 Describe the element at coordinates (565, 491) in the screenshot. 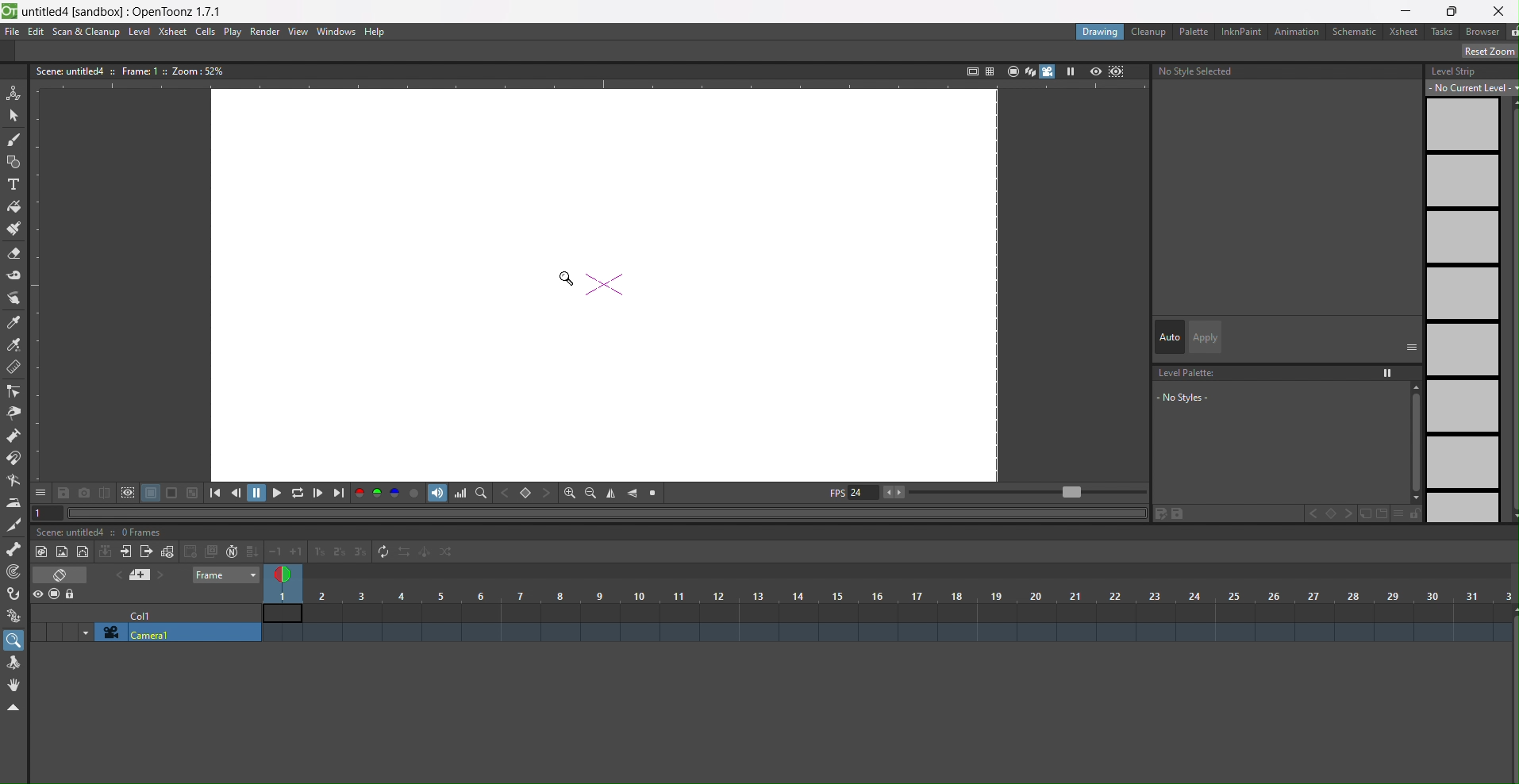

I see `zoom in` at that location.